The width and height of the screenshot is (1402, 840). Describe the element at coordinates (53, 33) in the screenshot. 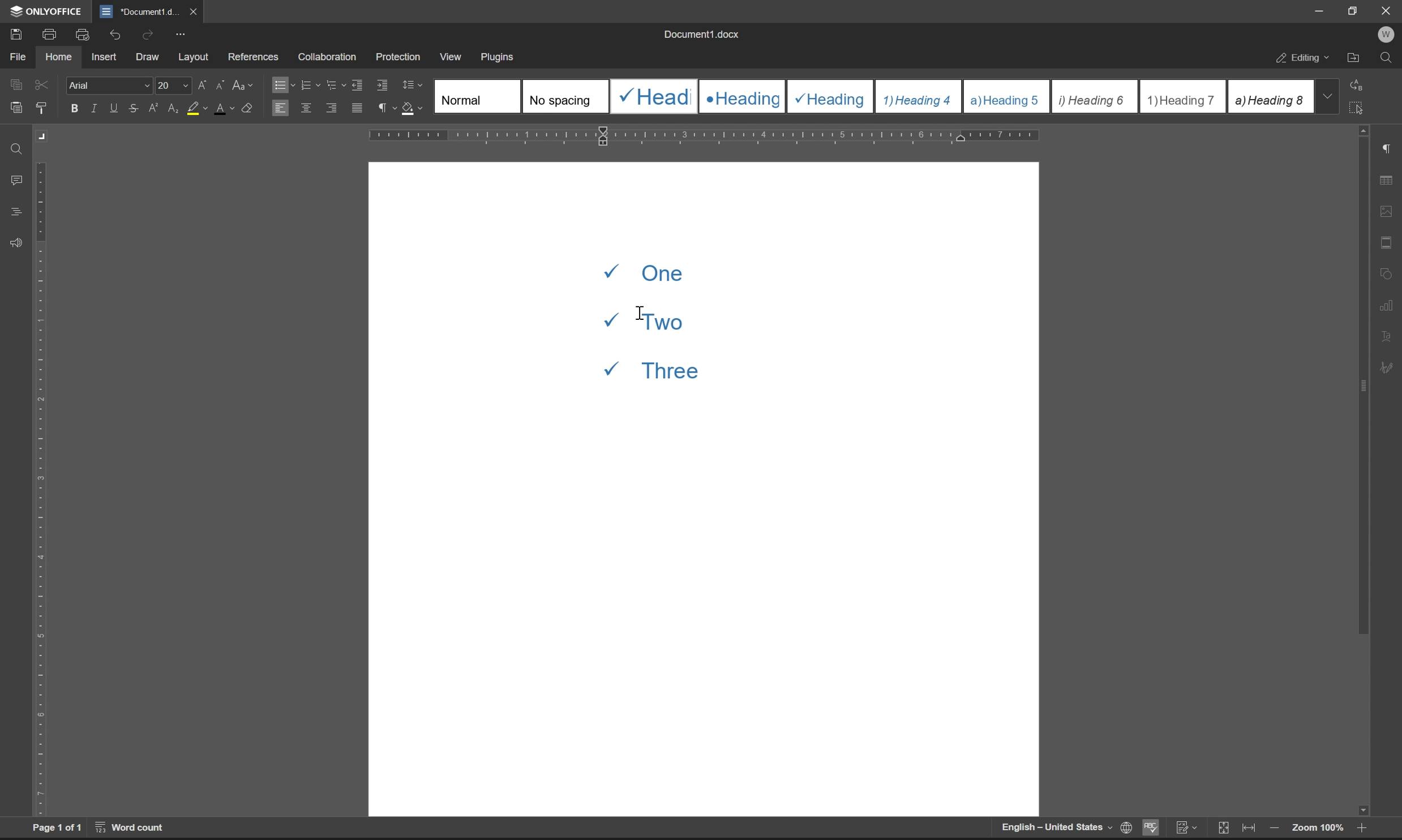

I see `print` at that location.